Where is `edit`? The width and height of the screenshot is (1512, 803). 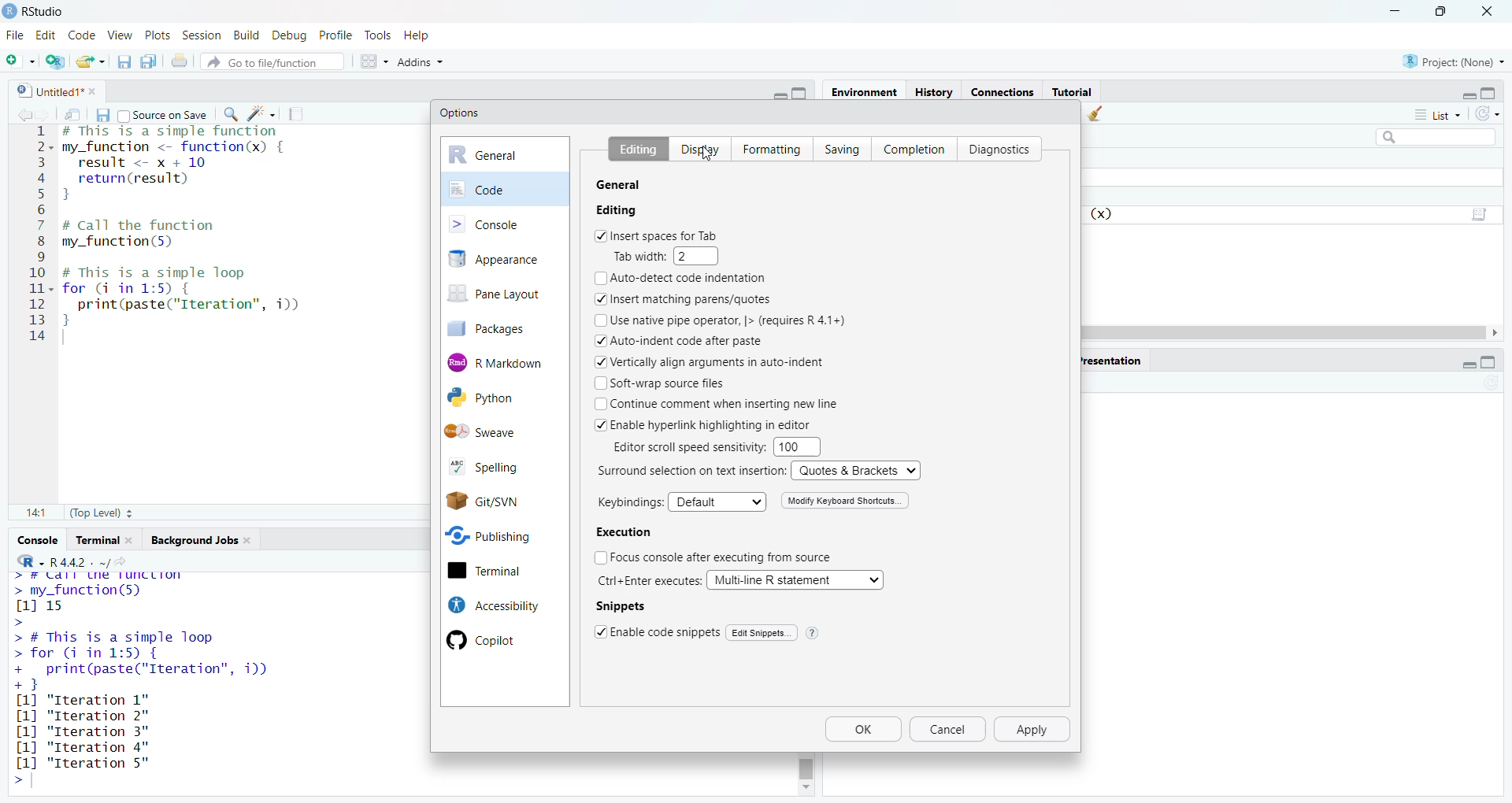
edit is located at coordinates (46, 35).